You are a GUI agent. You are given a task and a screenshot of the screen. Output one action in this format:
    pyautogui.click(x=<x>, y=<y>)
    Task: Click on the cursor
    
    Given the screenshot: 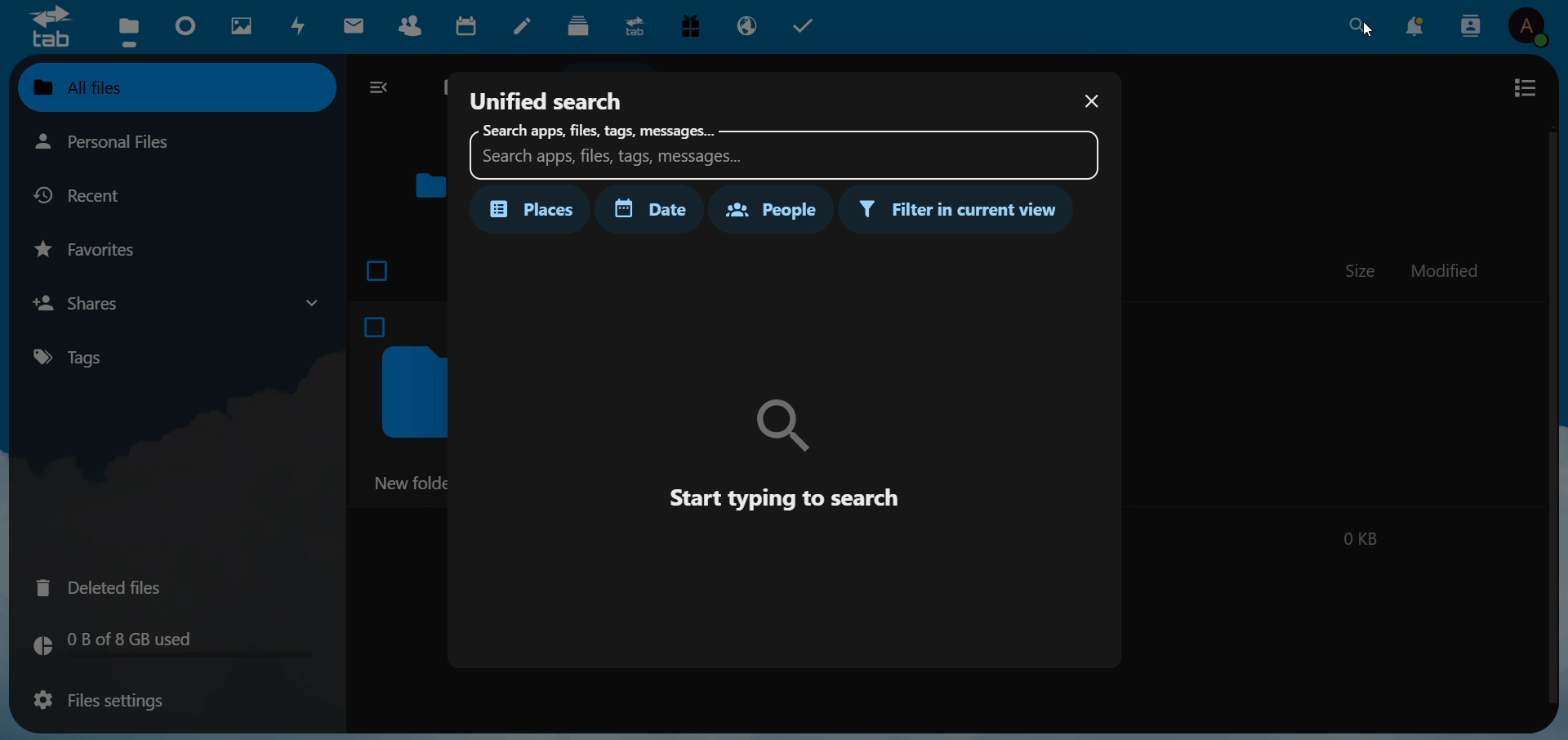 What is the action you would take?
    pyautogui.click(x=1369, y=34)
    